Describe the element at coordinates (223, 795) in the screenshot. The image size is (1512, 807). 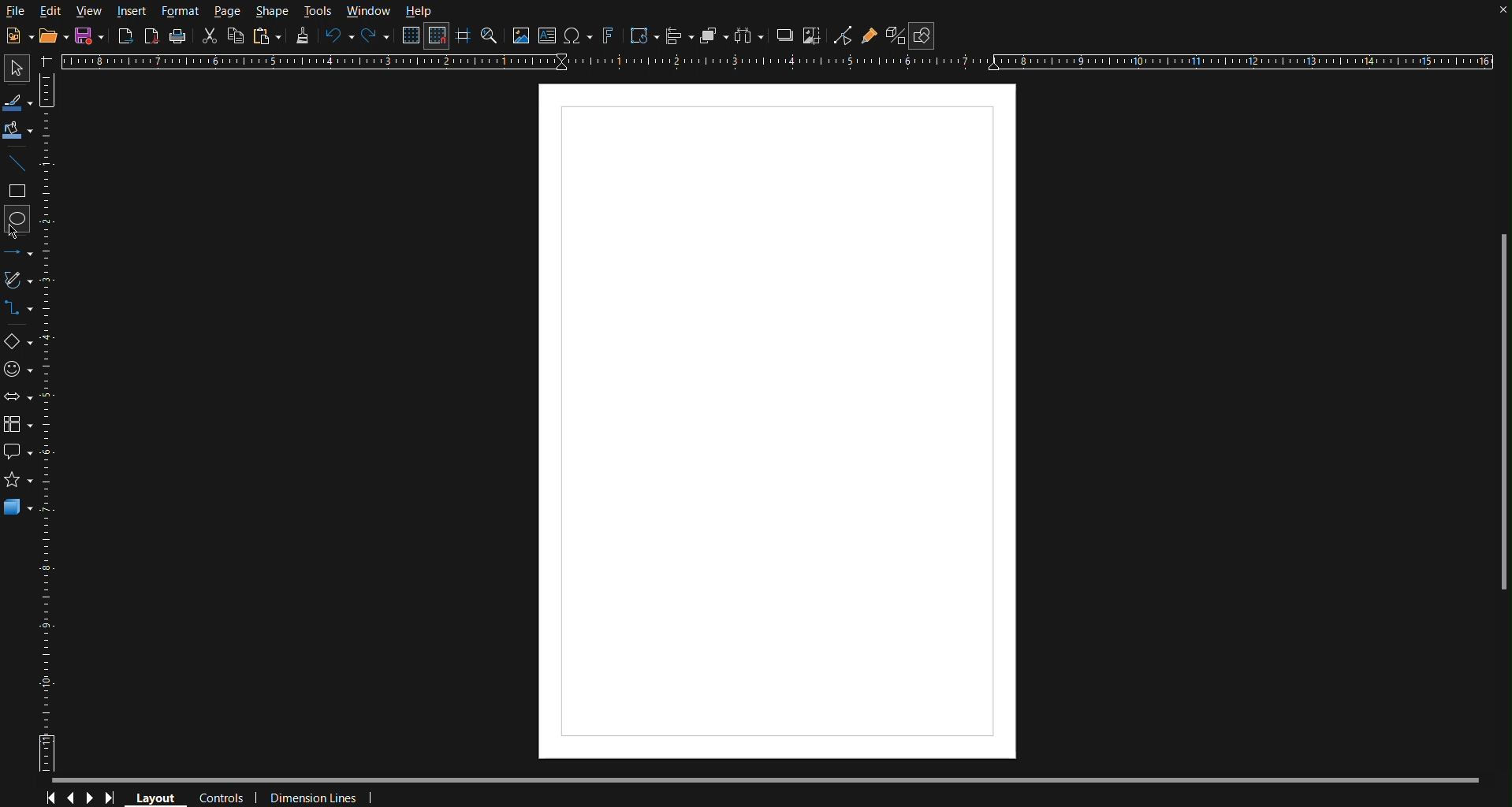
I see `Controls` at that location.